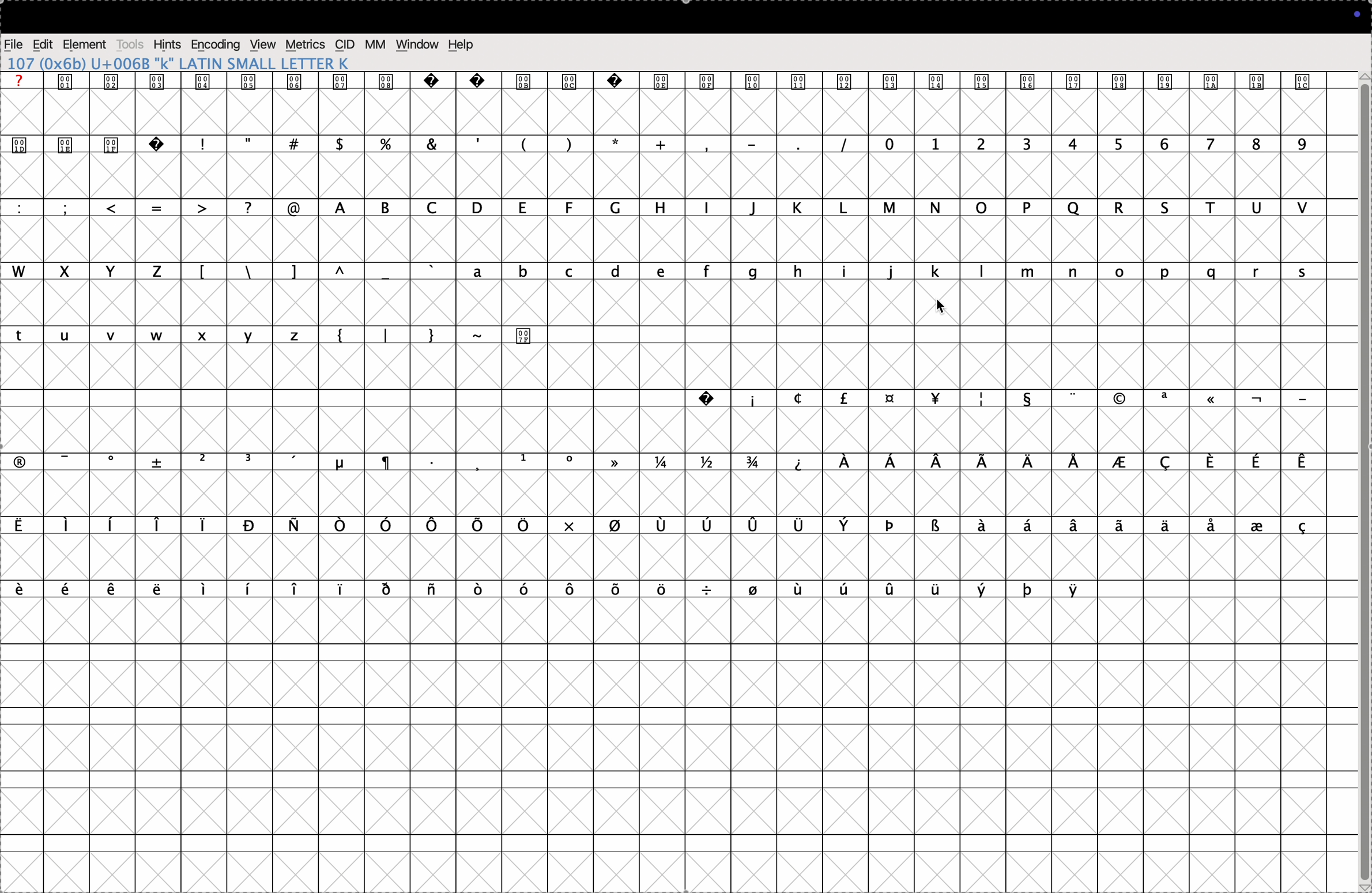  I want to click on symbol list of o, so click(270, 527).